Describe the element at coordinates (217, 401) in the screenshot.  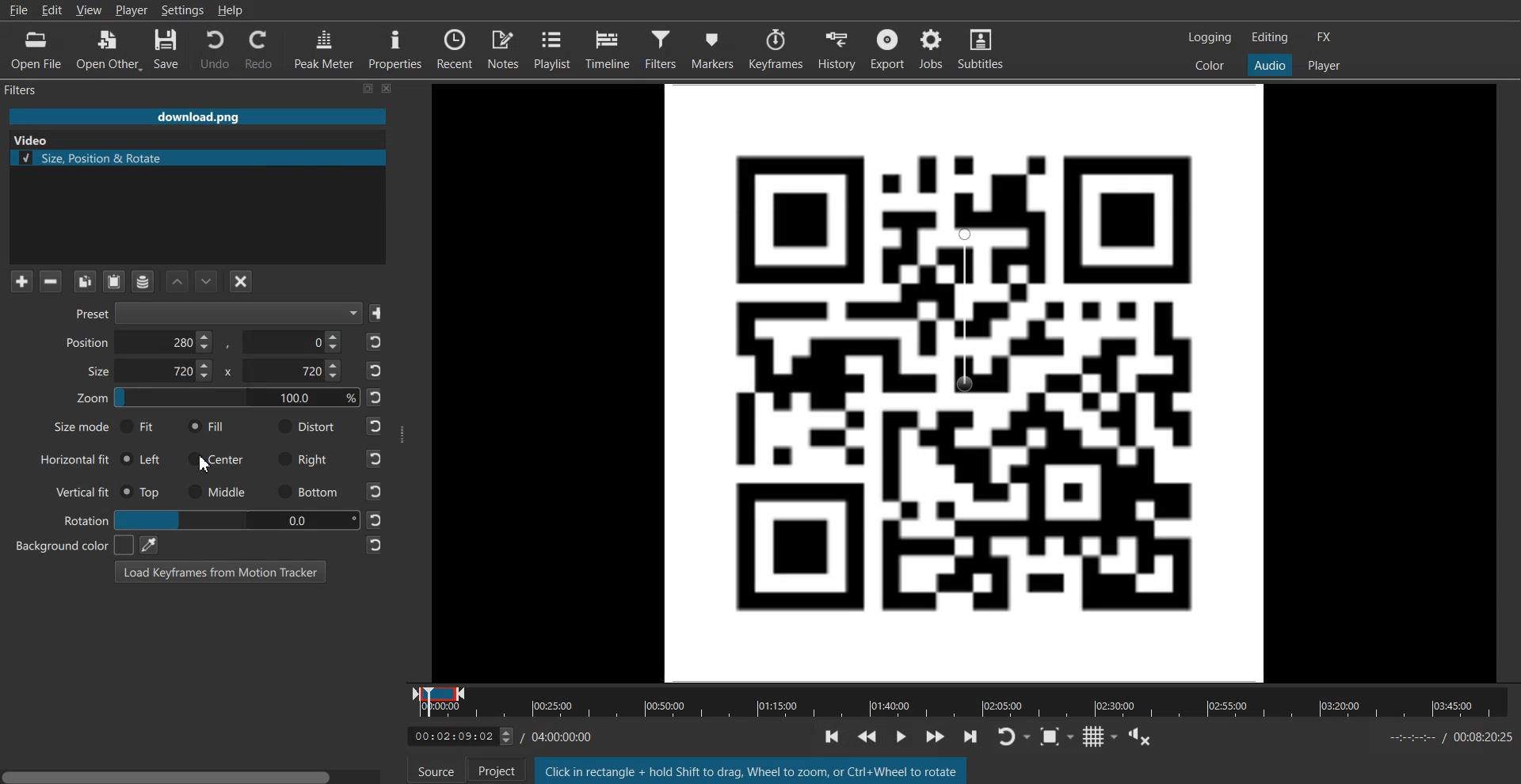
I see `Zoom Adjuster` at that location.